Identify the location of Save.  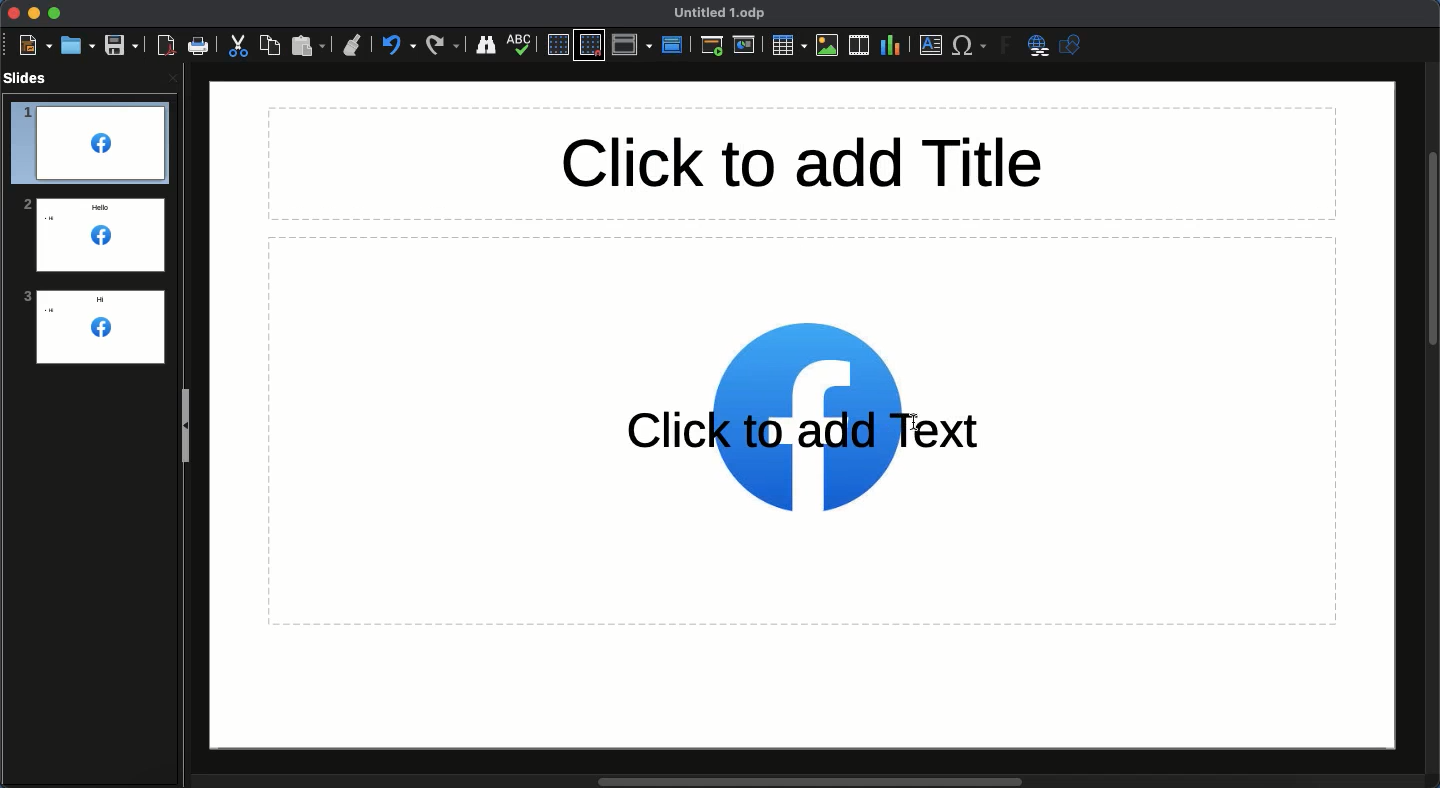
(121, 51).